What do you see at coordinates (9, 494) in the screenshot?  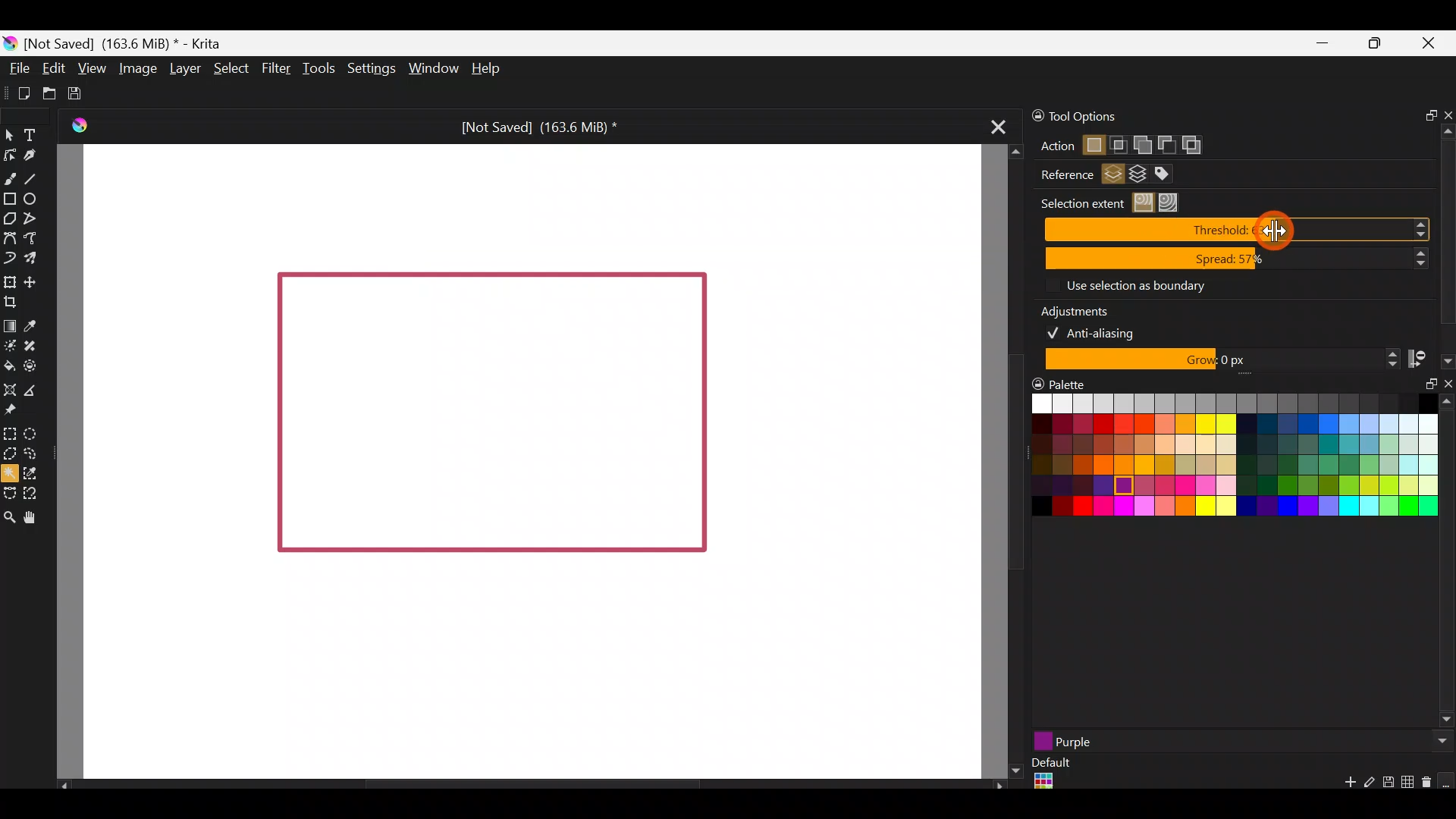 I see `Bezier curve selection tool` at bounding box center [9, 494].